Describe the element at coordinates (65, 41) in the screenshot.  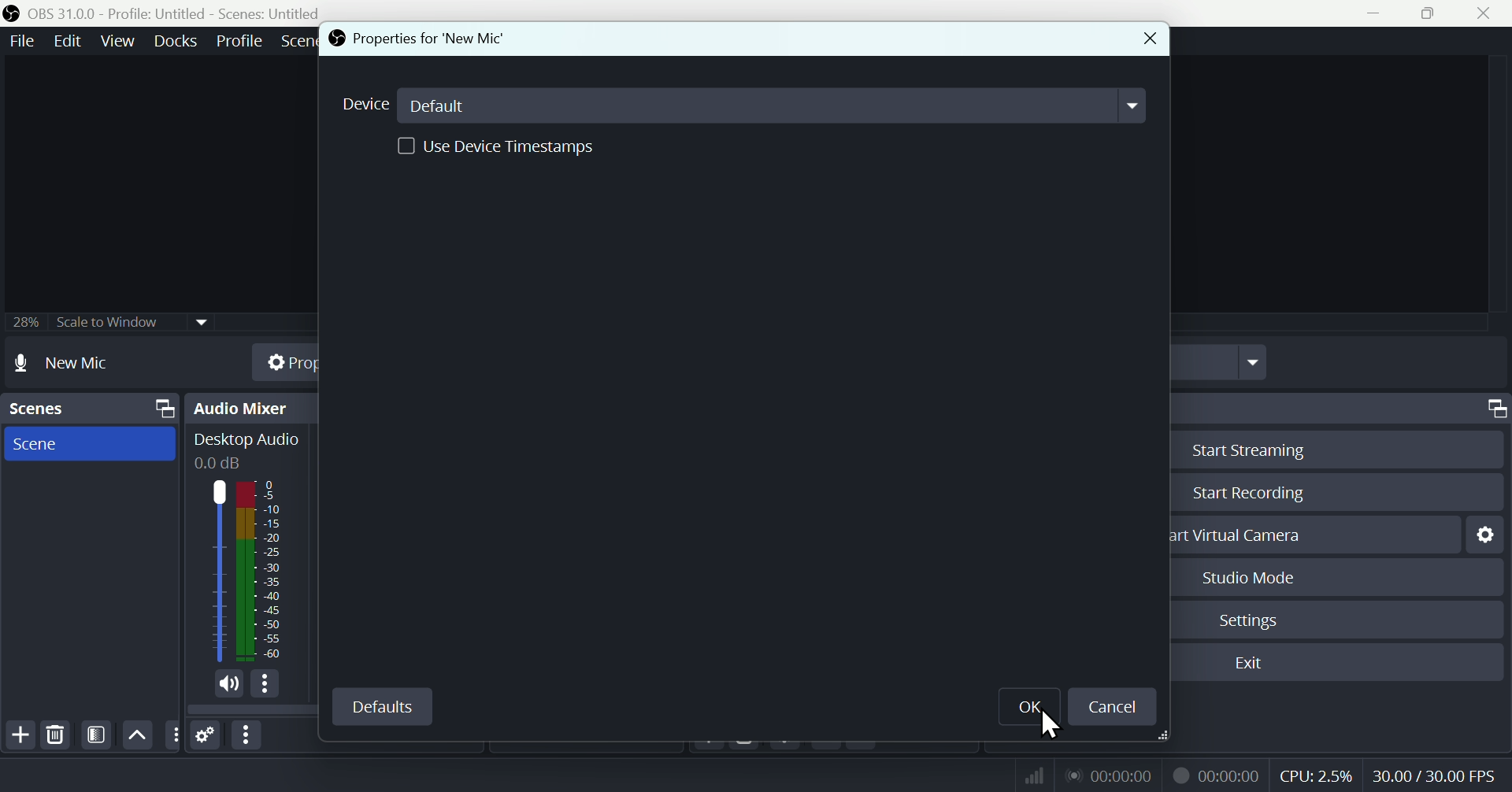
I see `Edit` at that location.